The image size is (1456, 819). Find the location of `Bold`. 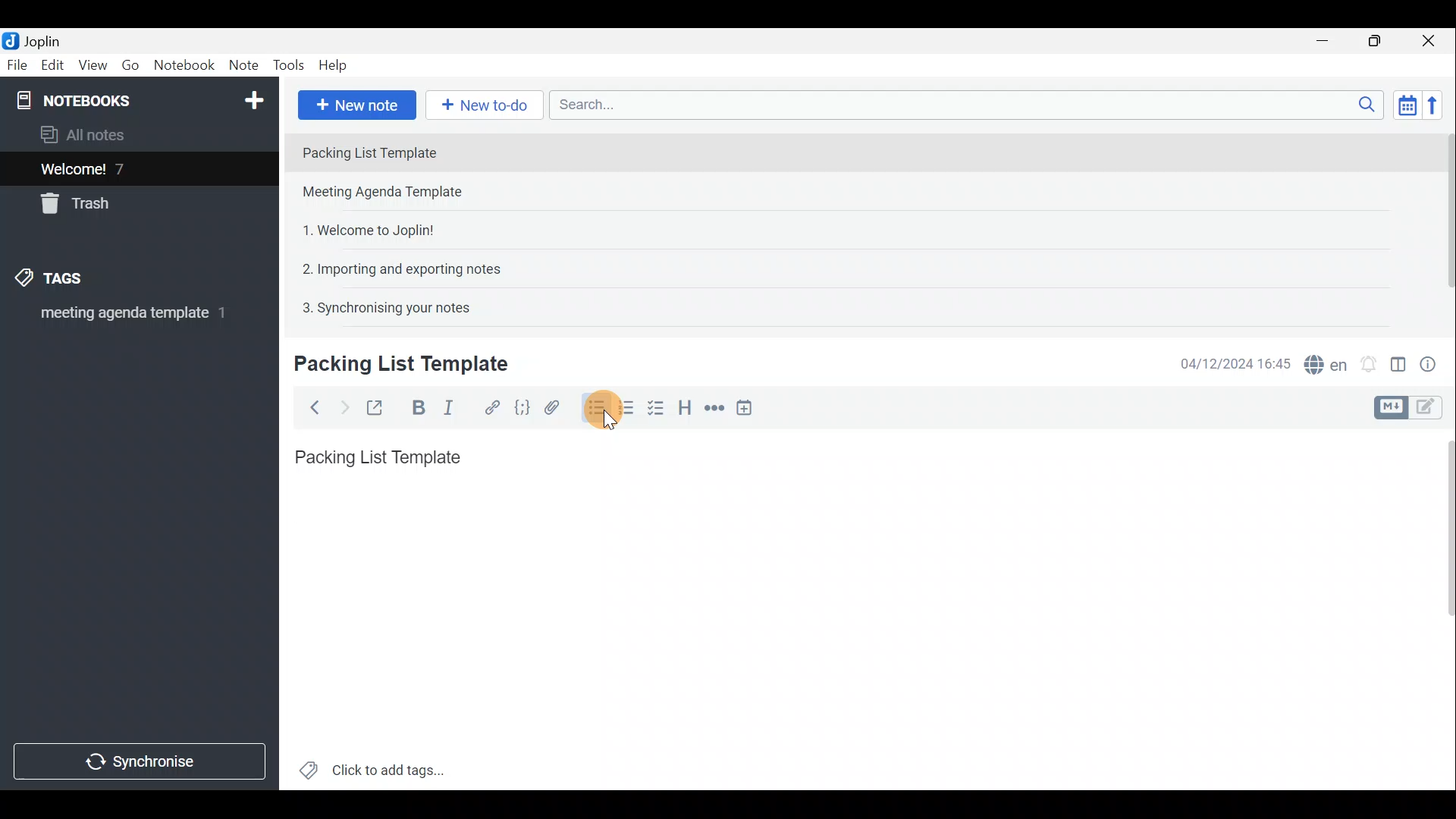

Bold is located at coordinates (416, 406).